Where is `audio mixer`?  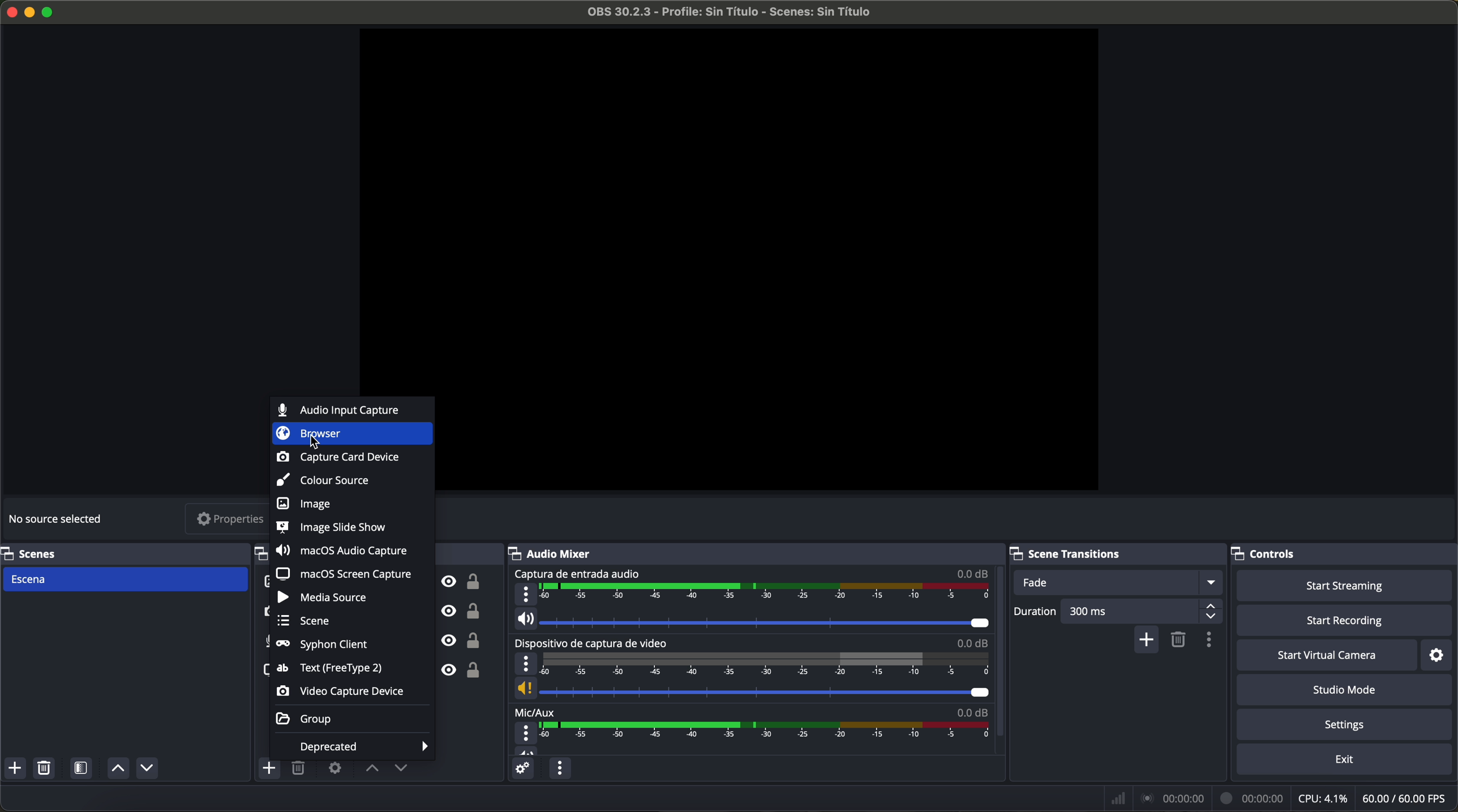 audio mixer is located at coordinates (556, 555).